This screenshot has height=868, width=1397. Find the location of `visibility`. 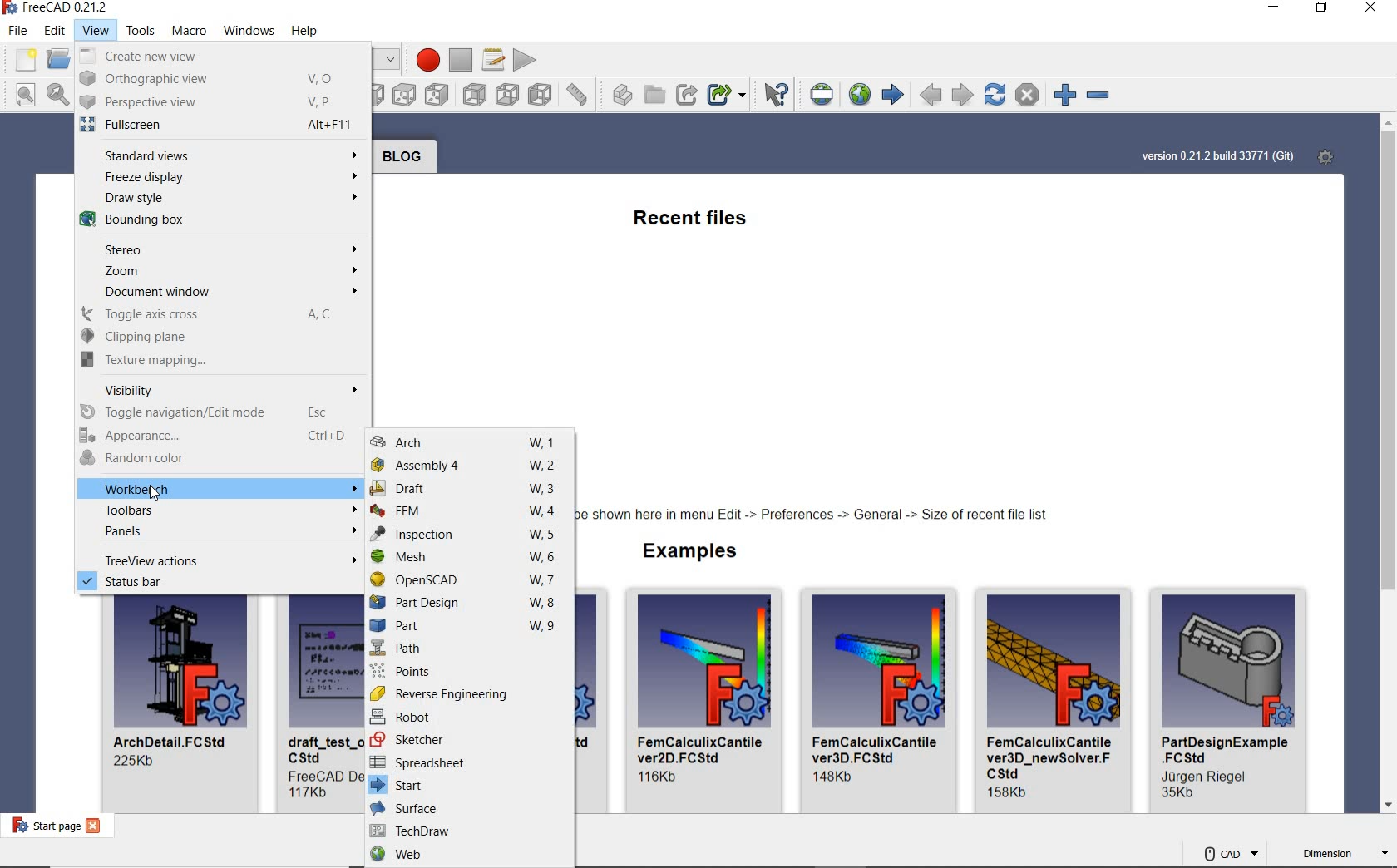

visibility is located at coordinates (222, 388).